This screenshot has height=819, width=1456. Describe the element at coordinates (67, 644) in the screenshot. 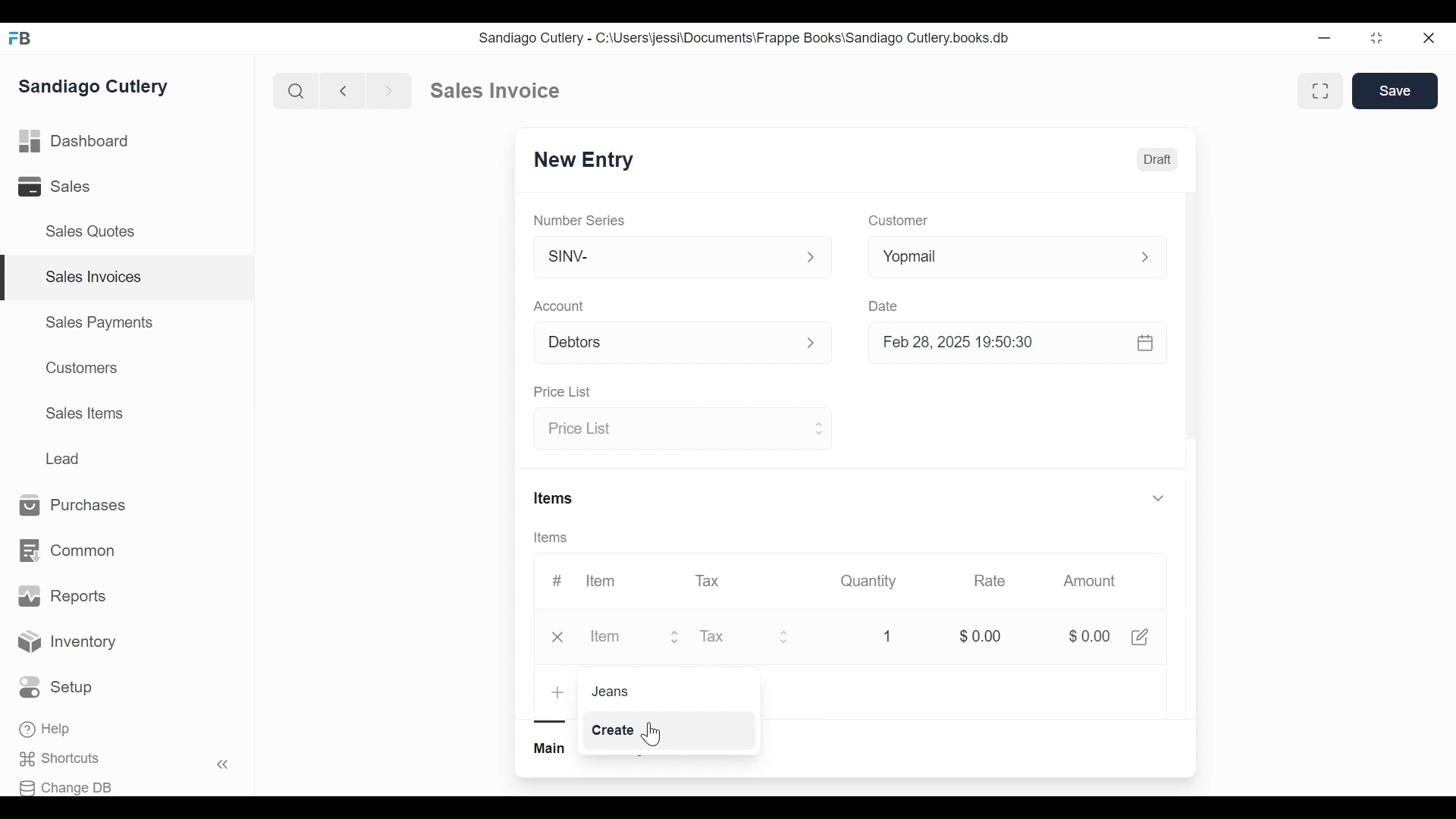

I see `Inventory` at that location.